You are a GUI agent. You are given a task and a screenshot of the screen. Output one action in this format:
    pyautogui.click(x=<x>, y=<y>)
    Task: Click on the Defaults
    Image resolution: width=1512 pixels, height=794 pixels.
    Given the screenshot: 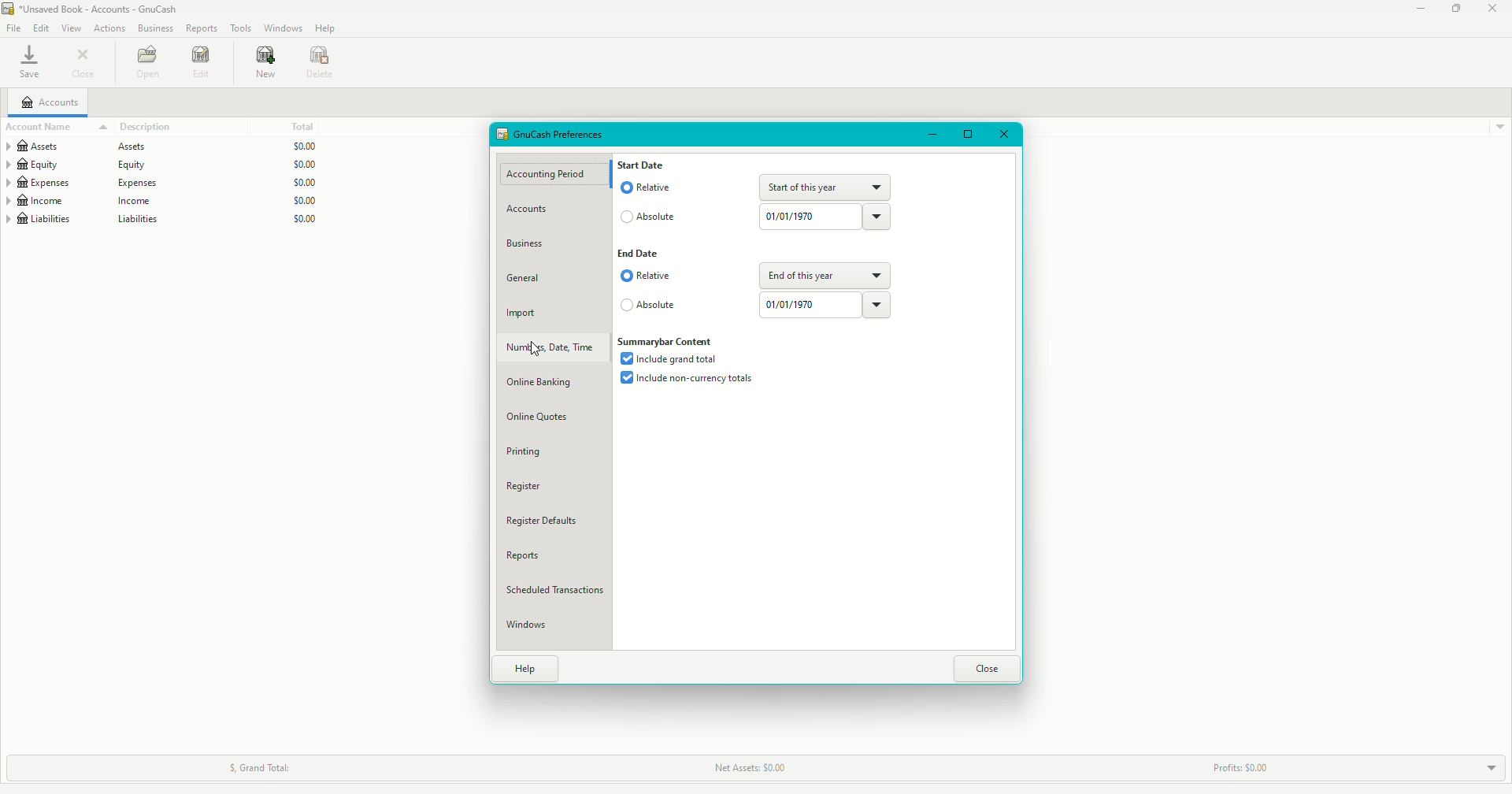 What is the action you would take?
    pyautogui.click(x=553, y=521)
    